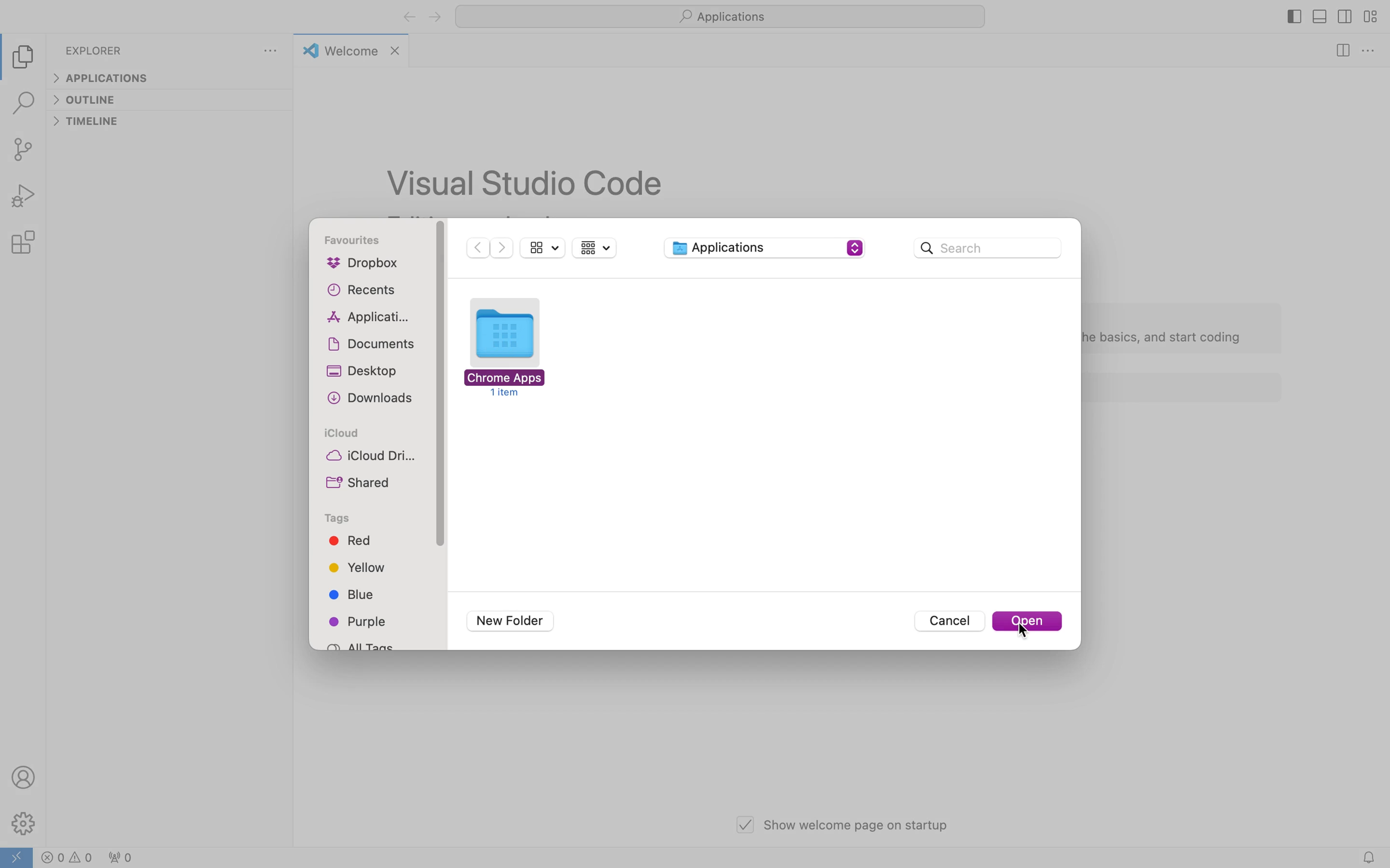  What do you see at coordinates (1369, 18) in the screenshot?
I see `customise layout` at bounding box center [1369, 18].